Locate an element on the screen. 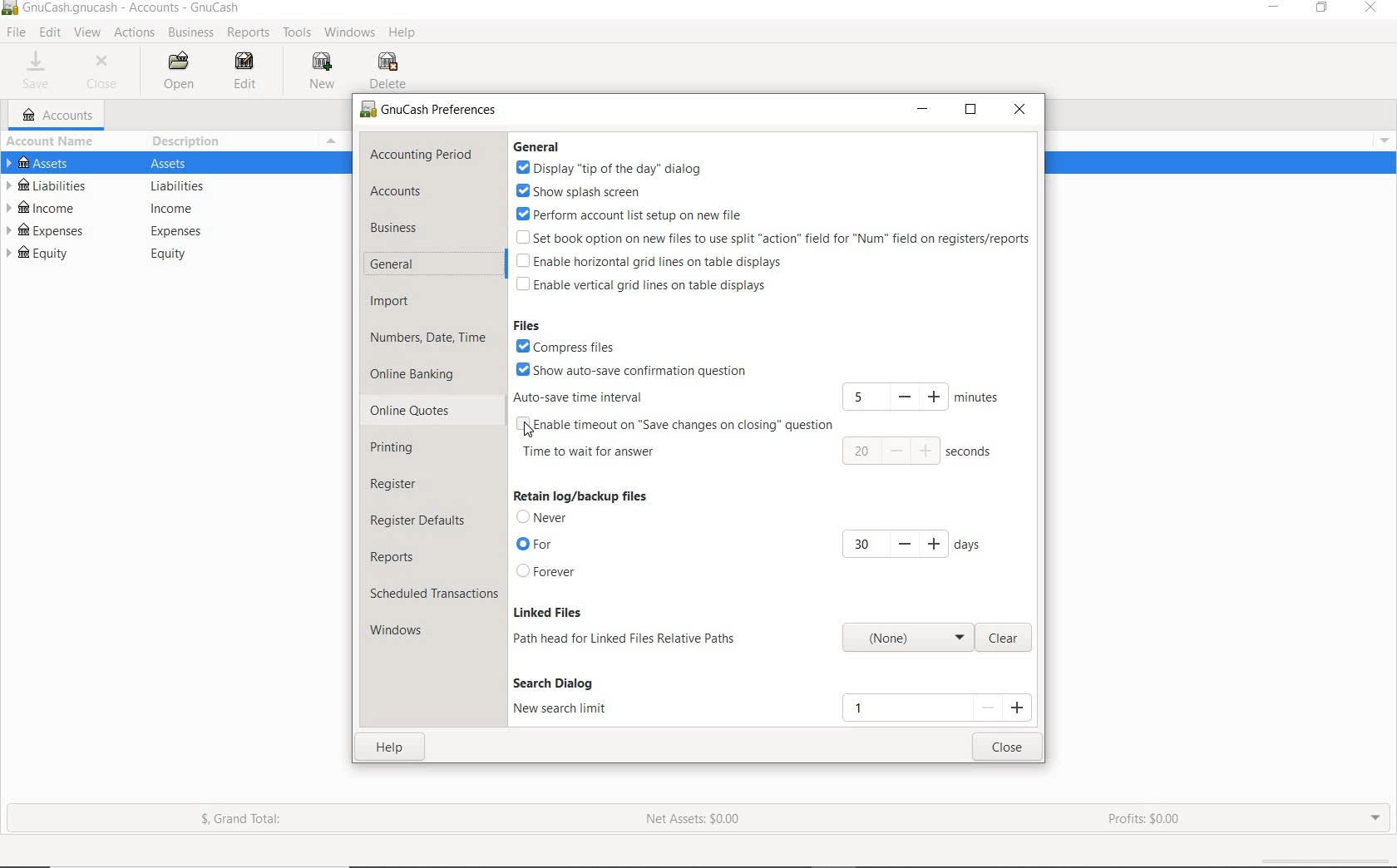 Image resolution: width=1397 pixels, height=868 pixels. EDIT is located at coordinates (241, 70).